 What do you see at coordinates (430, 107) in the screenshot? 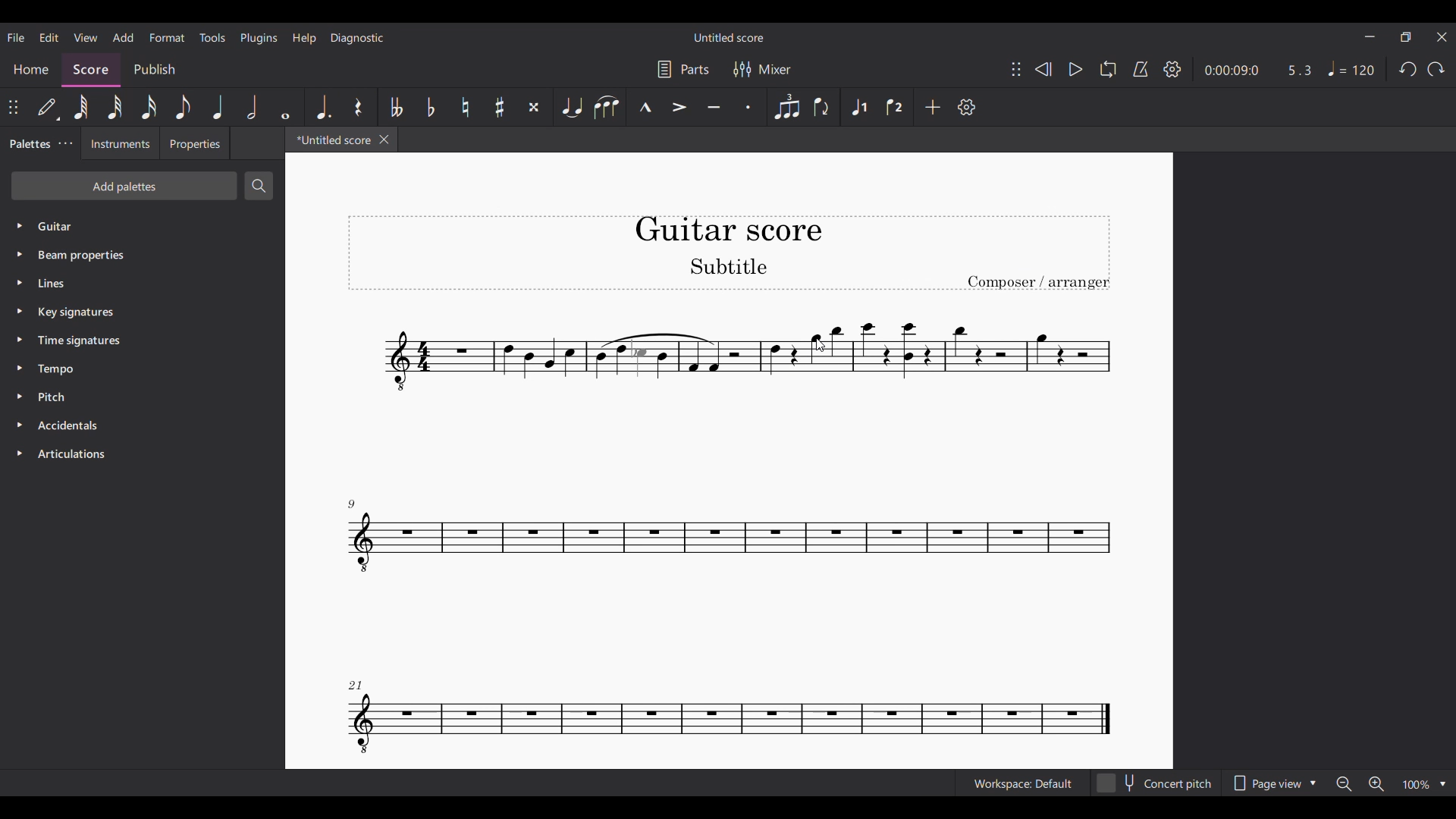
I see `Toggle flat` at bounding box center [430, 107].